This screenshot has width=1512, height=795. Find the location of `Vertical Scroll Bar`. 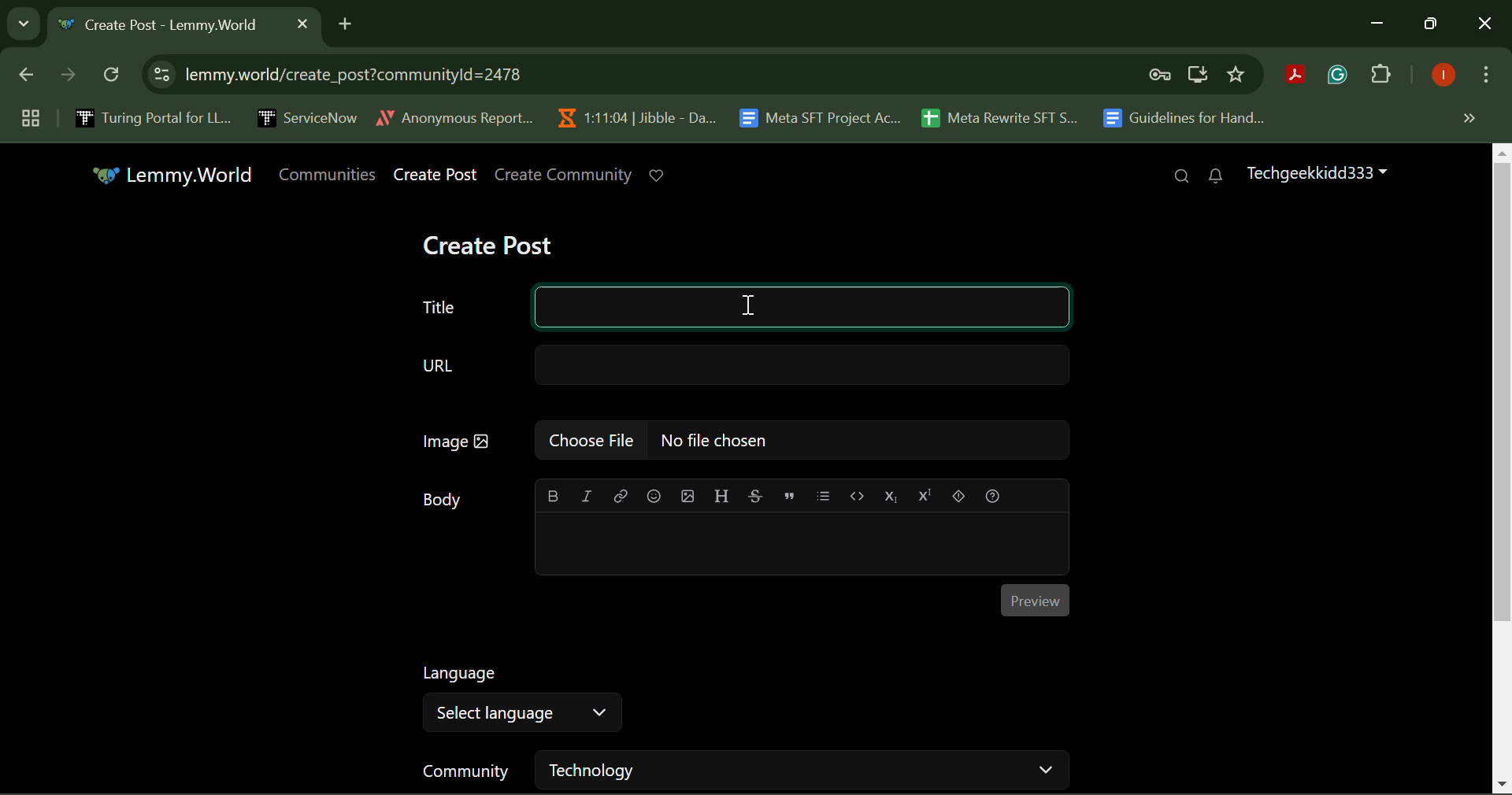

Vertical Scroll Bar is located at coordinates (1503, 469).